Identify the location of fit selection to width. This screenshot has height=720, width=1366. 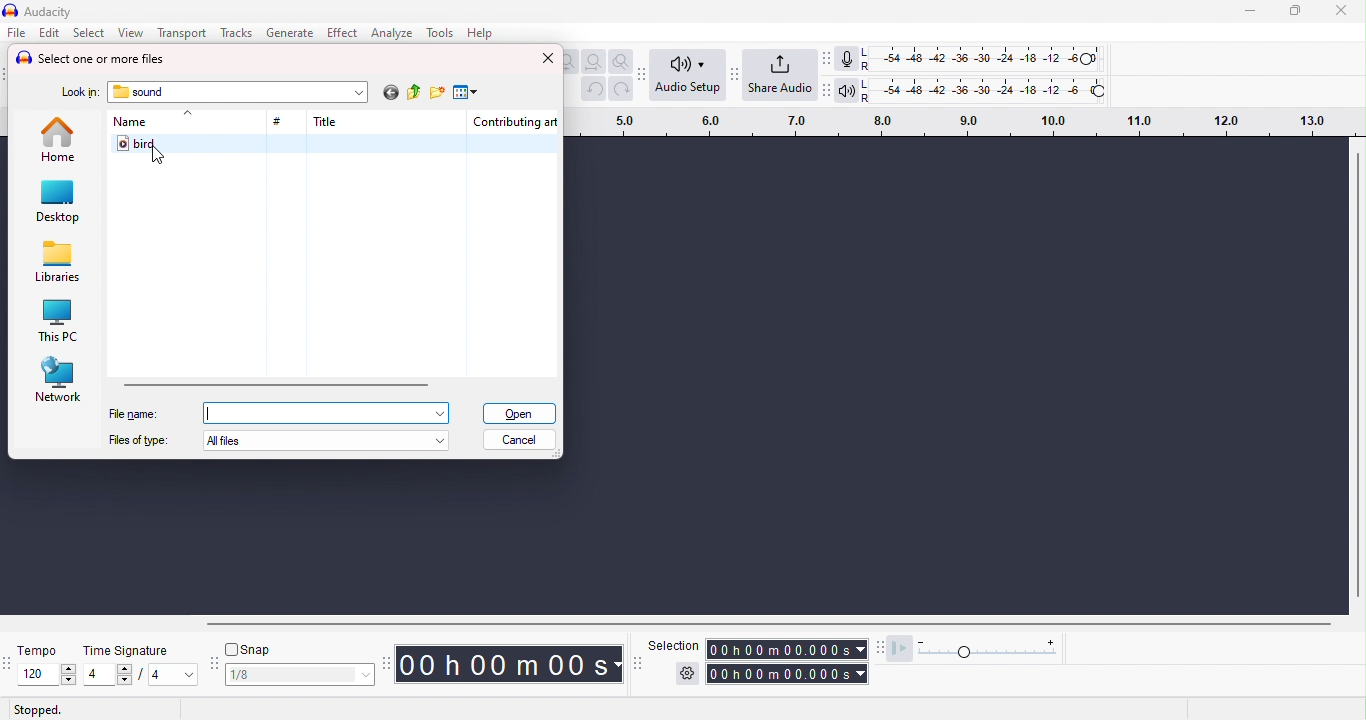
(570, 62).